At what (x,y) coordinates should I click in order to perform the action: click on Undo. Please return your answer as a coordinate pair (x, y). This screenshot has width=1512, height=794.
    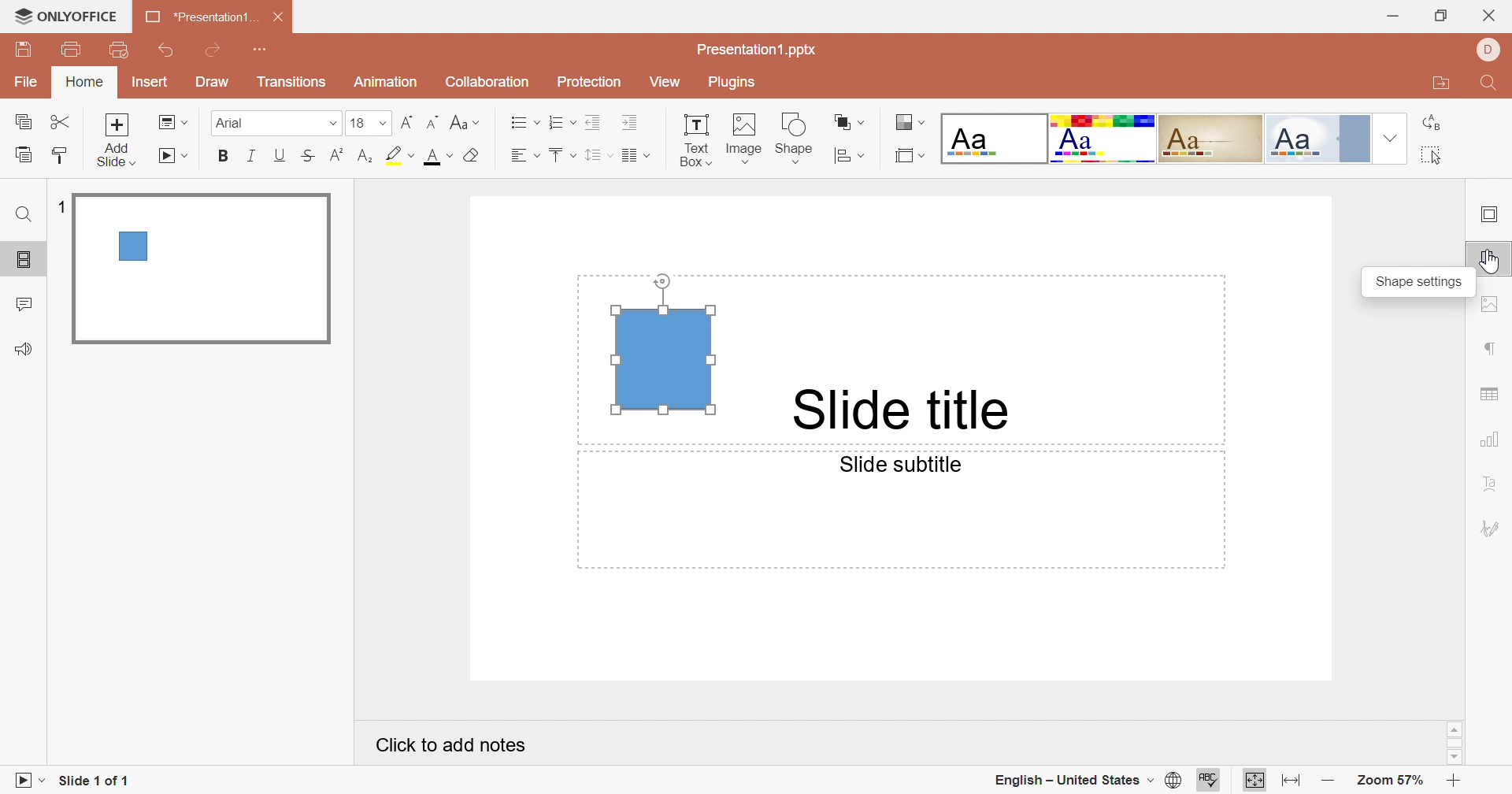
    Looking at the image, I should click on (166, 51).